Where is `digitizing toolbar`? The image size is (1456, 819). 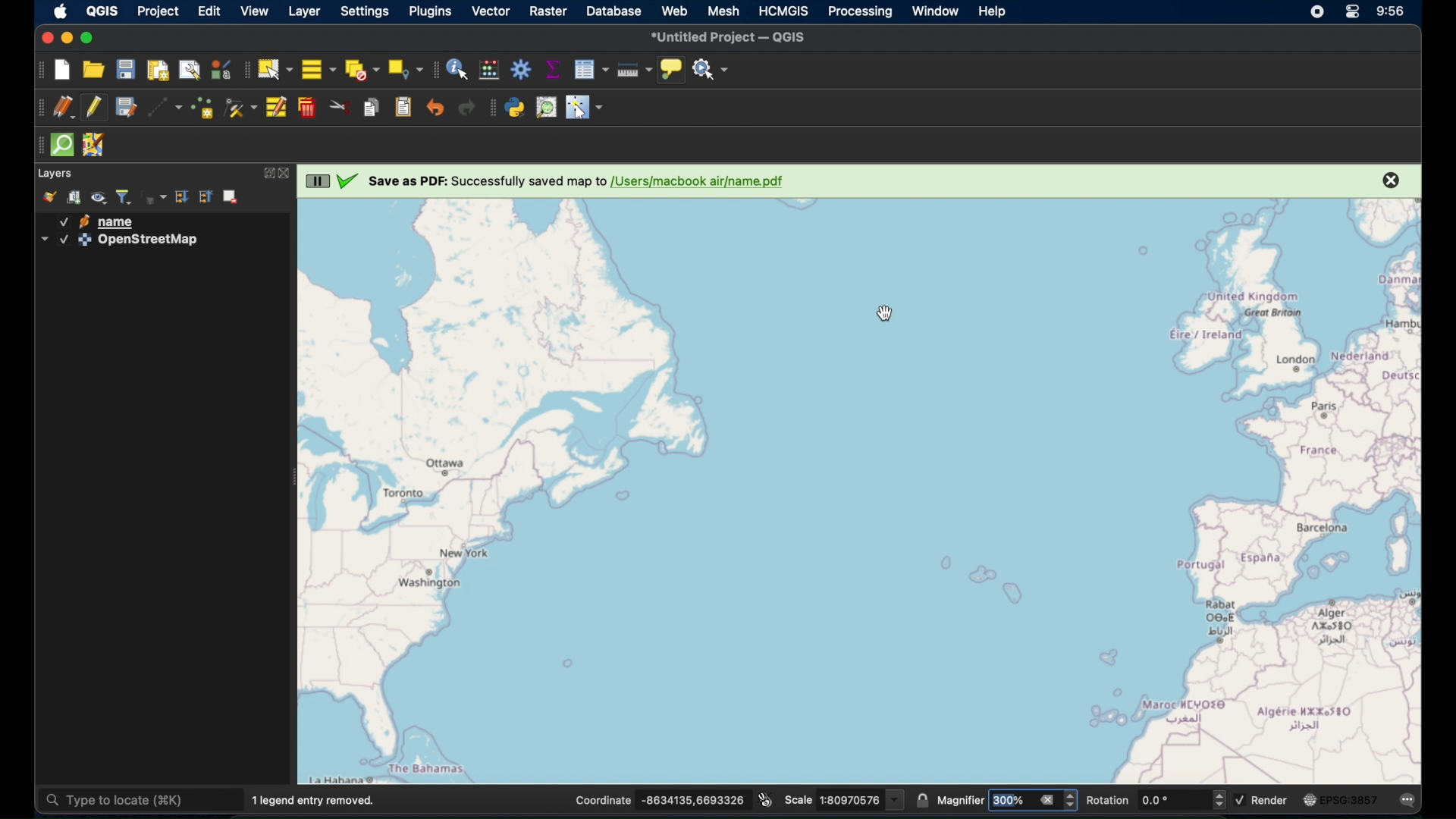 digitizing toolbar is located at coordinates (39, 110).